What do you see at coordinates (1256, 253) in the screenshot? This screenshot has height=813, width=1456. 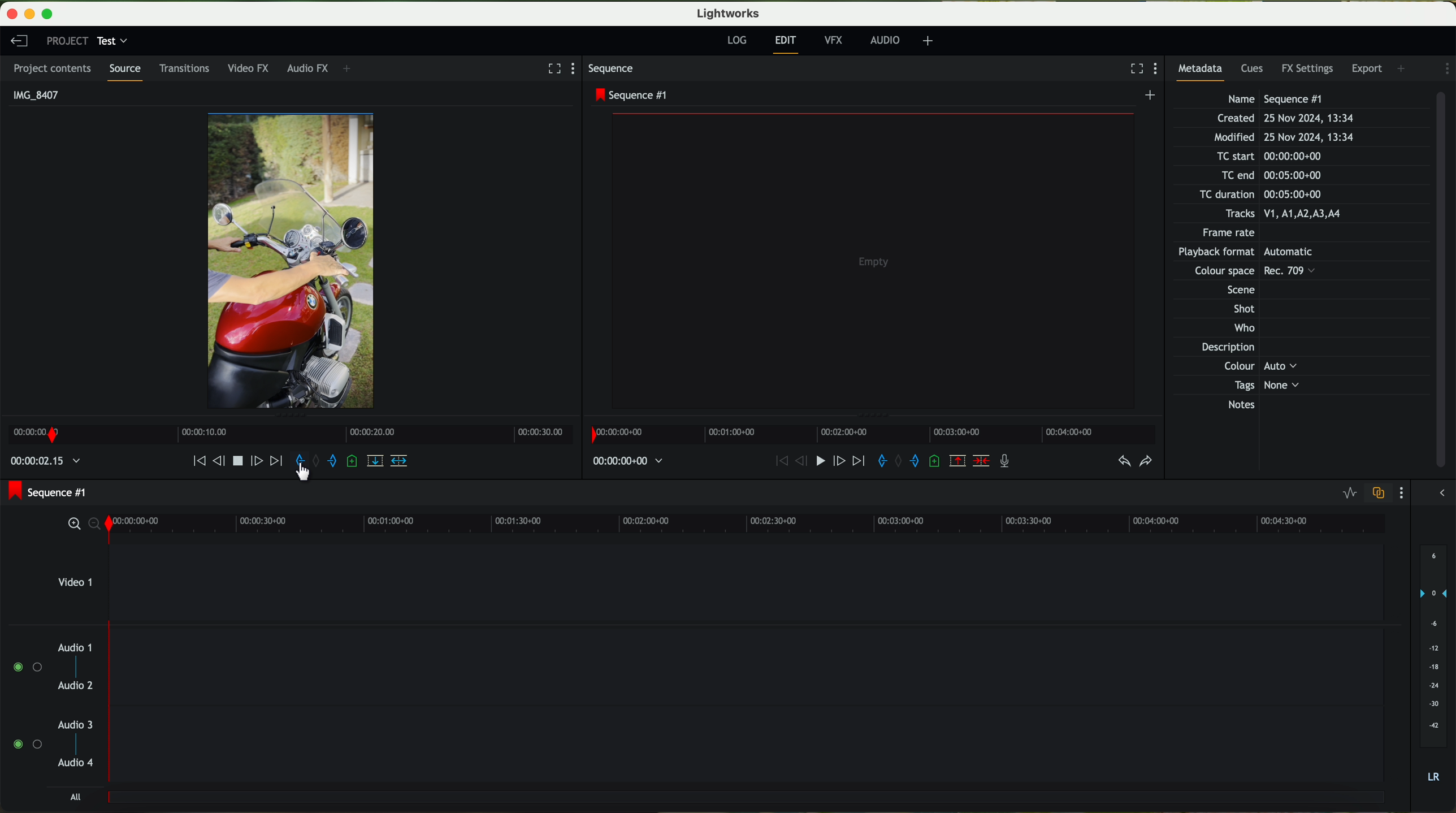 I see `` at bounding box center [1256, 253].